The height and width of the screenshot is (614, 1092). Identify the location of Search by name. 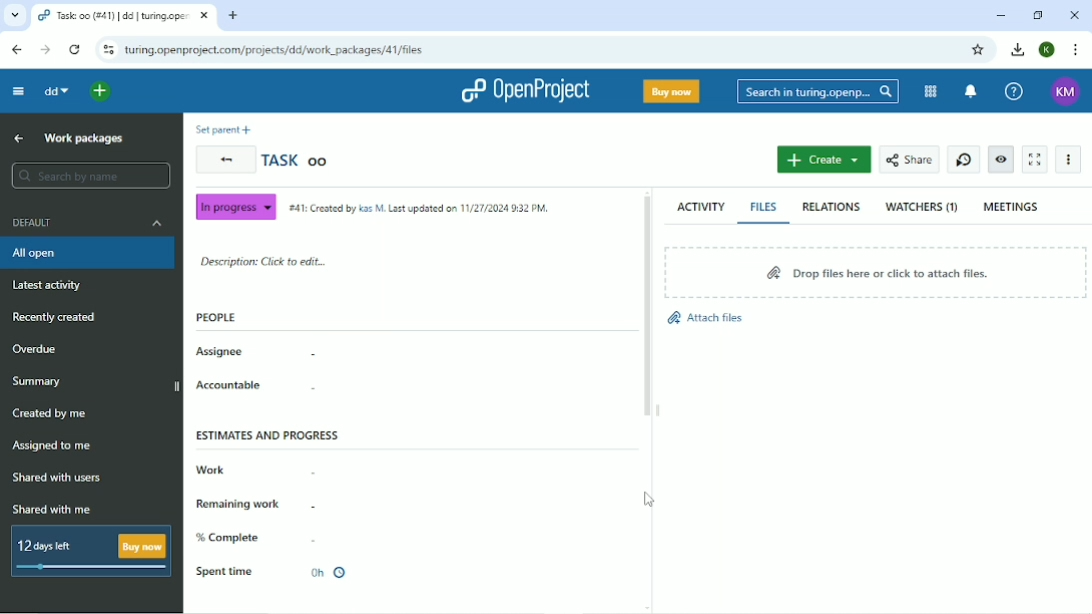
(91, 176).